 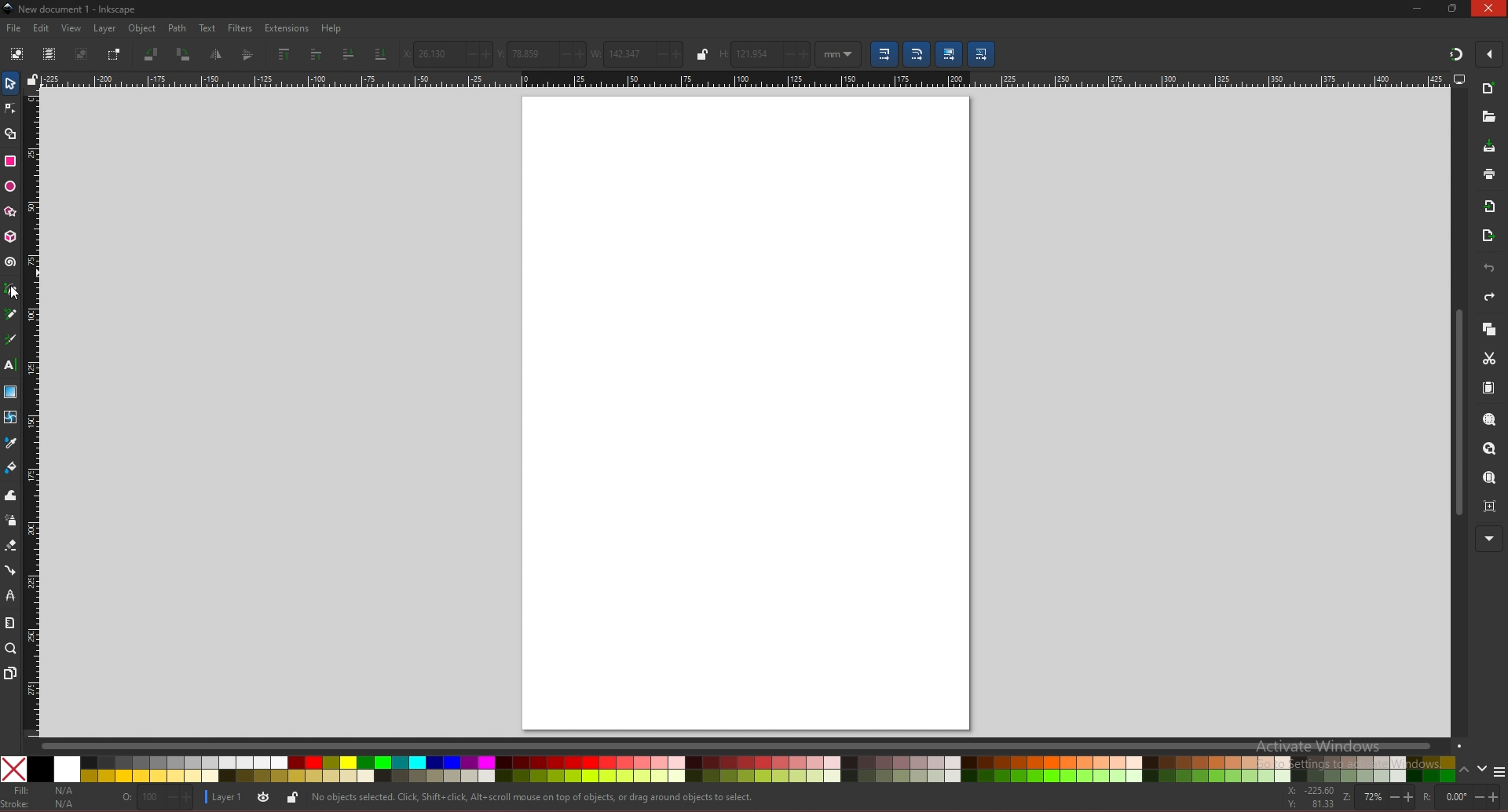 What do you see at coordinates (745, 411) in the screenshot?
I see `page` at bounding box center [745, 411].